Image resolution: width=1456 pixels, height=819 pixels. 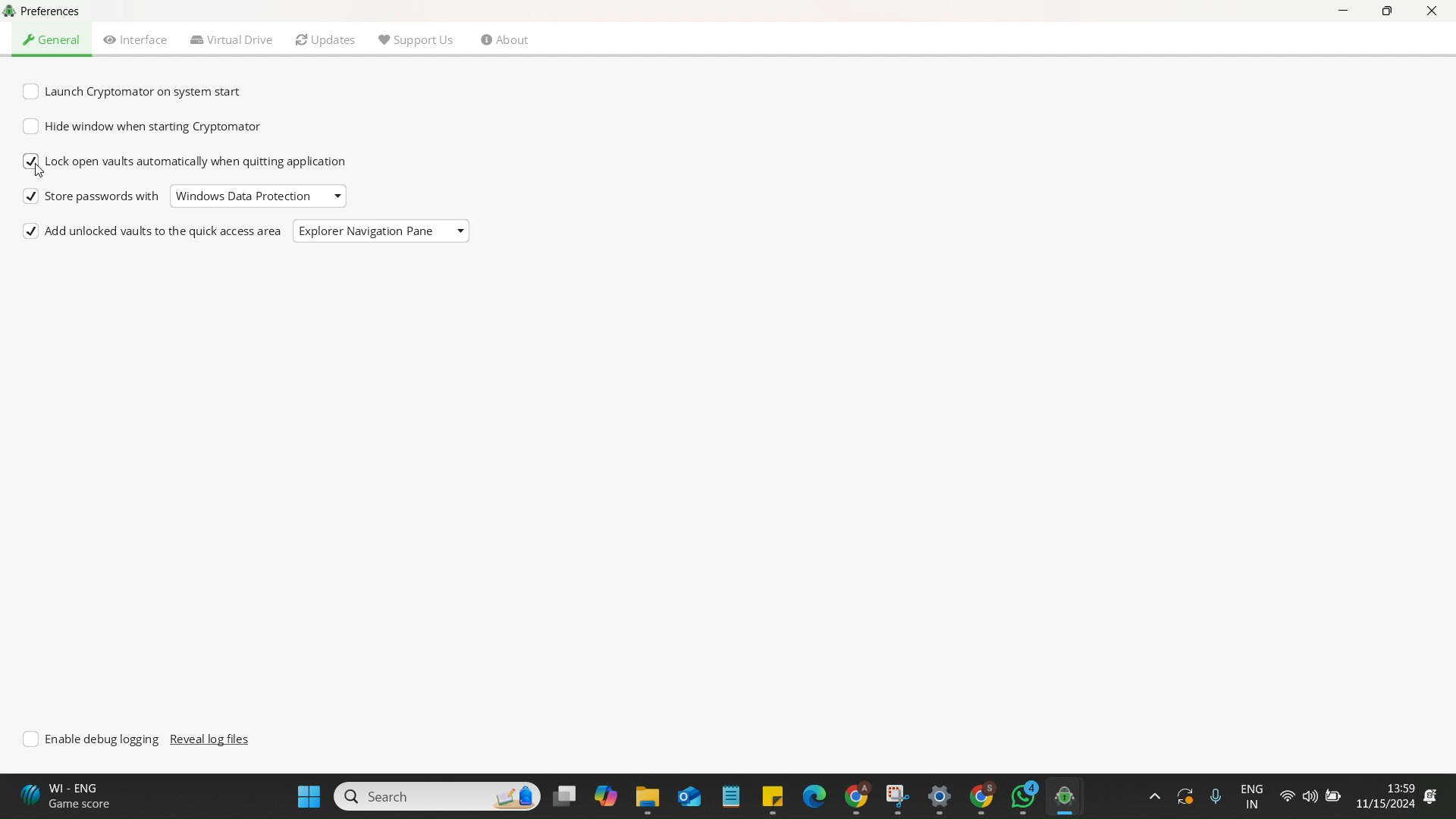 What do you see at coordinates (981, 798) in the screenshot?
I see `Chrome` at bounding box center [981, 798].